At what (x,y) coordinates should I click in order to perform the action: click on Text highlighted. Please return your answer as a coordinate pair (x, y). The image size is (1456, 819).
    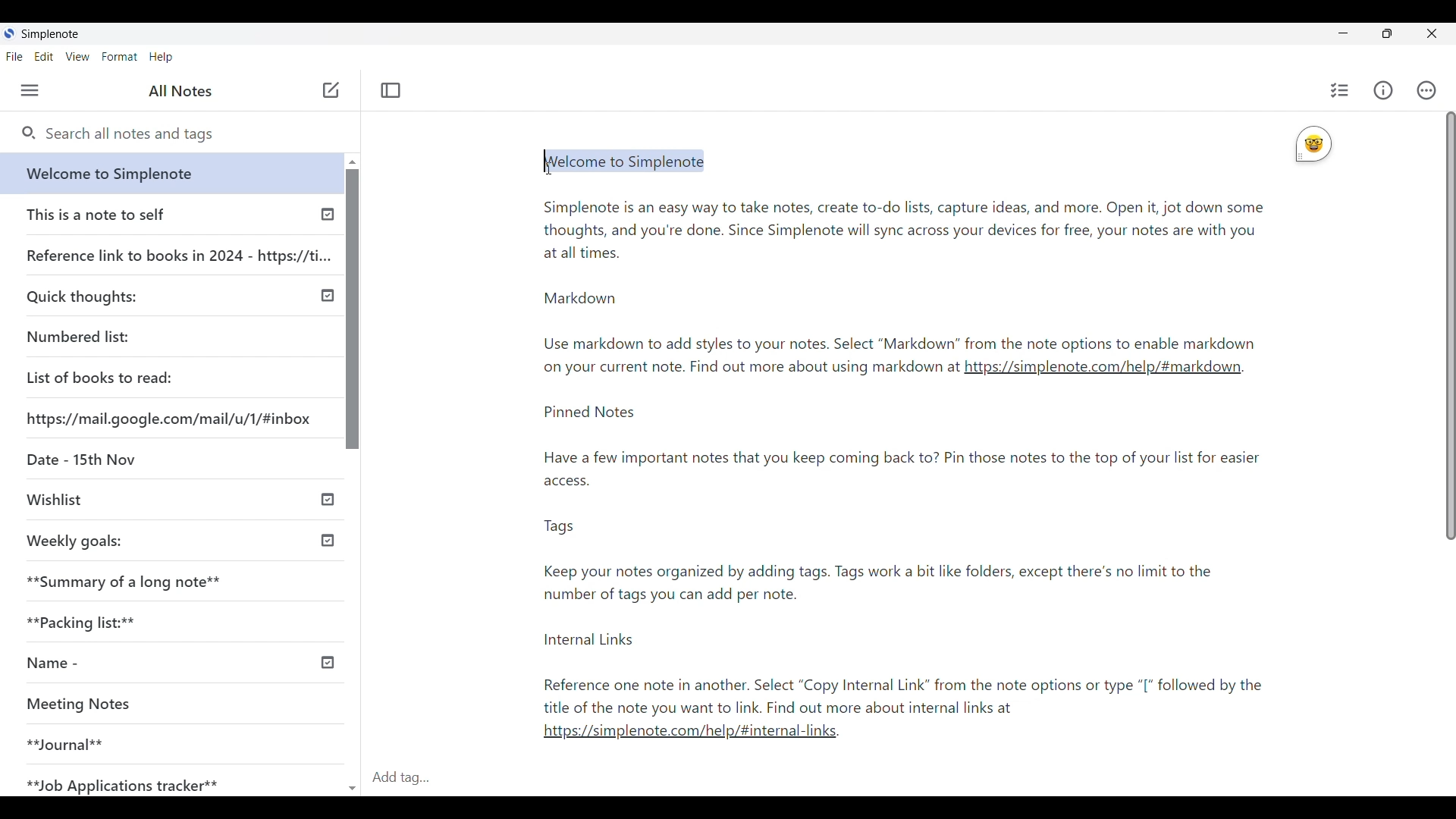
    Looking at the image, I should click on (629, 163).